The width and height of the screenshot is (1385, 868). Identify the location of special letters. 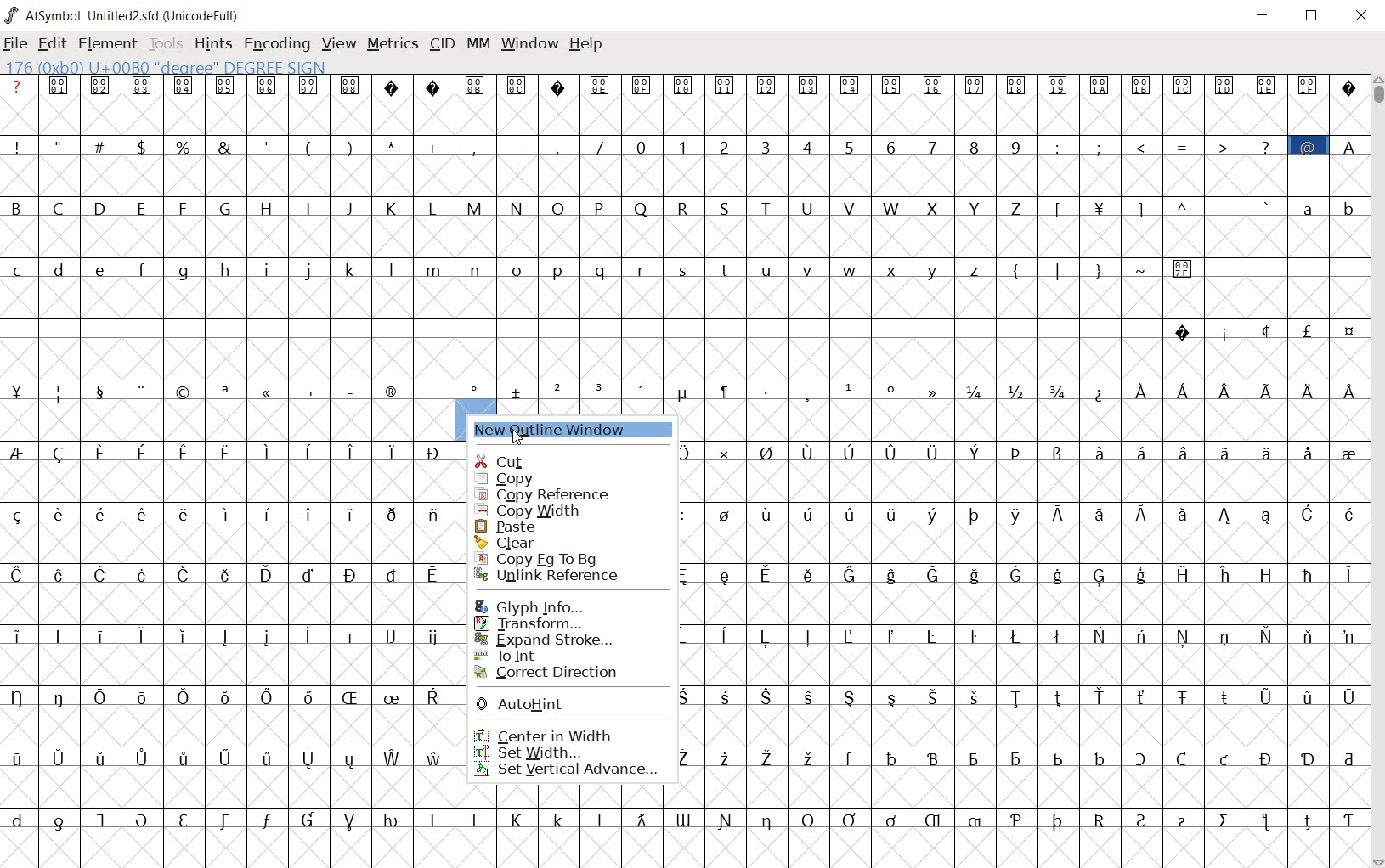
(227, 695).